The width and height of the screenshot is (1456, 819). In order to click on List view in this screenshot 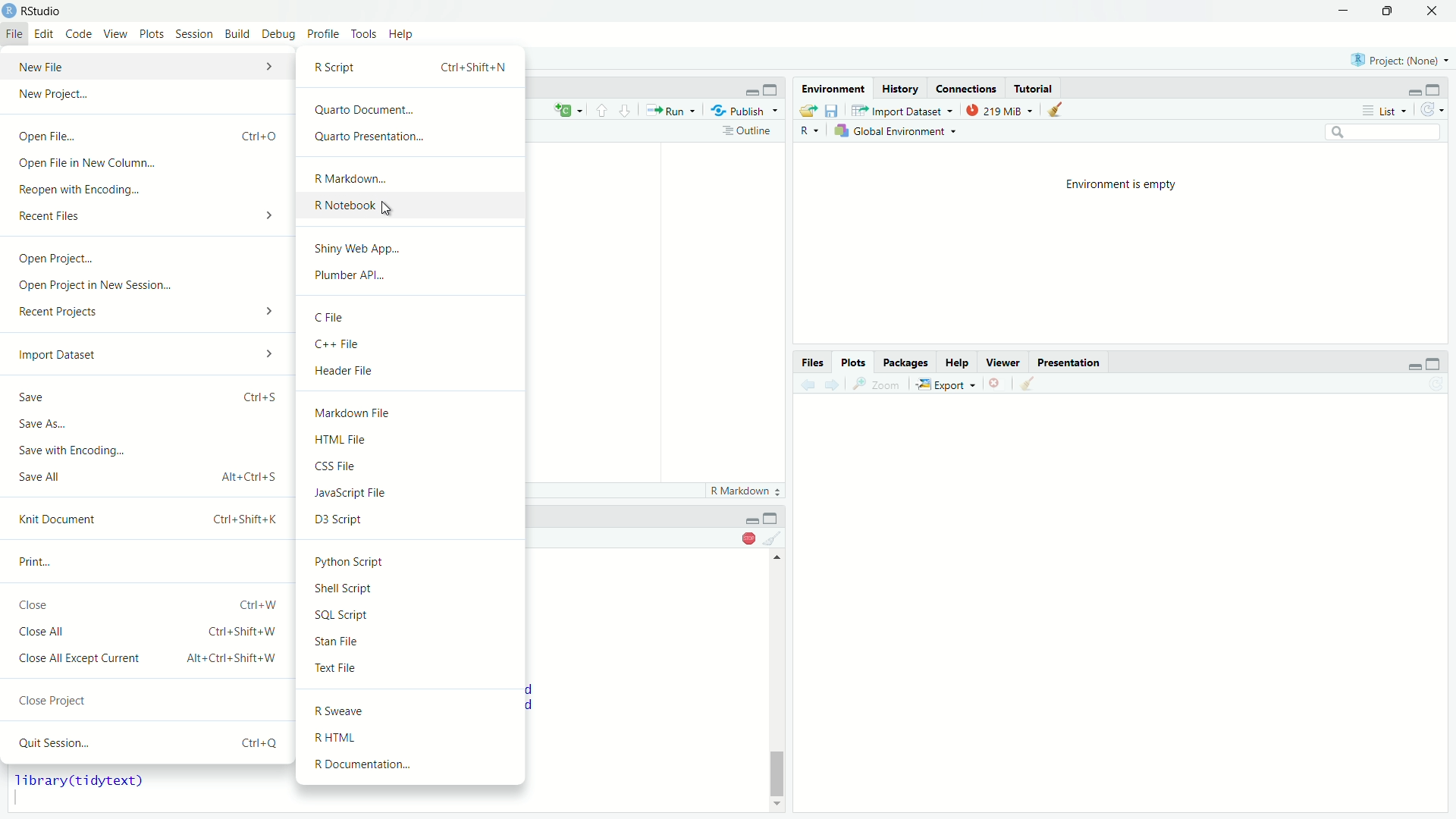, I will do `click(1384, 109)`.